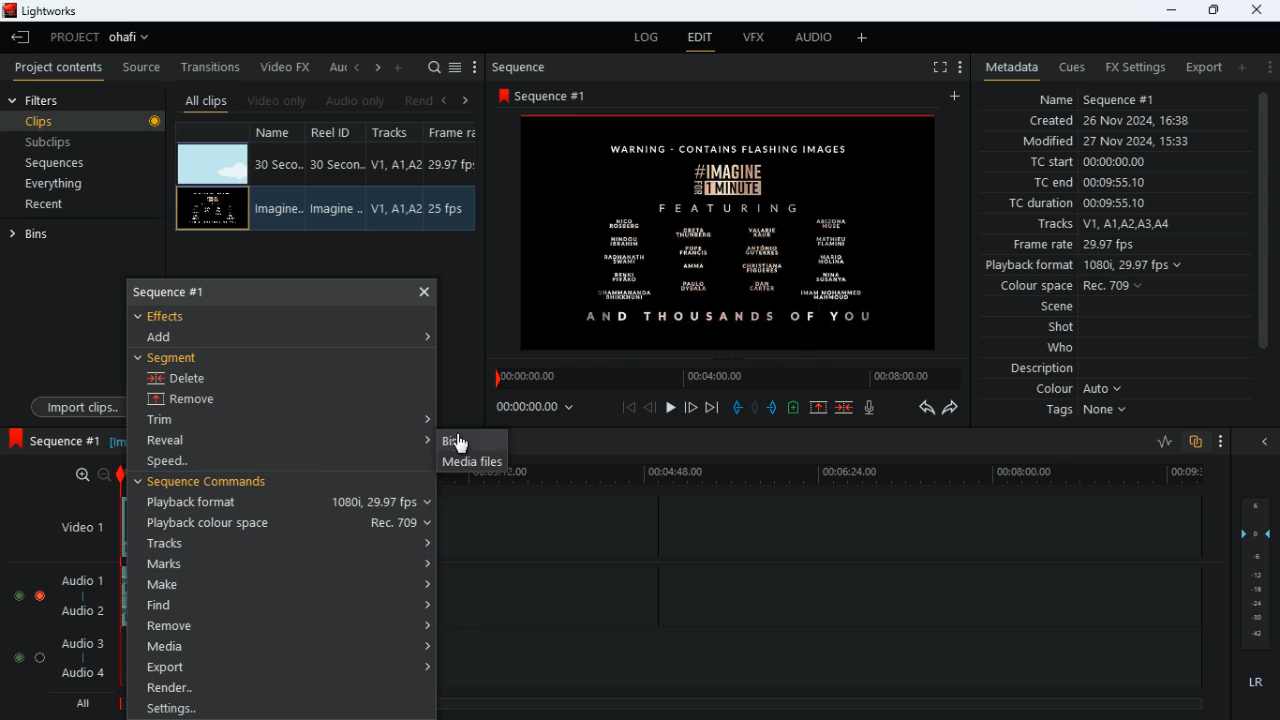  What do you see at coordinates (733, 232) in the screenshot?
I see `image` at bounding box center [733, 232].